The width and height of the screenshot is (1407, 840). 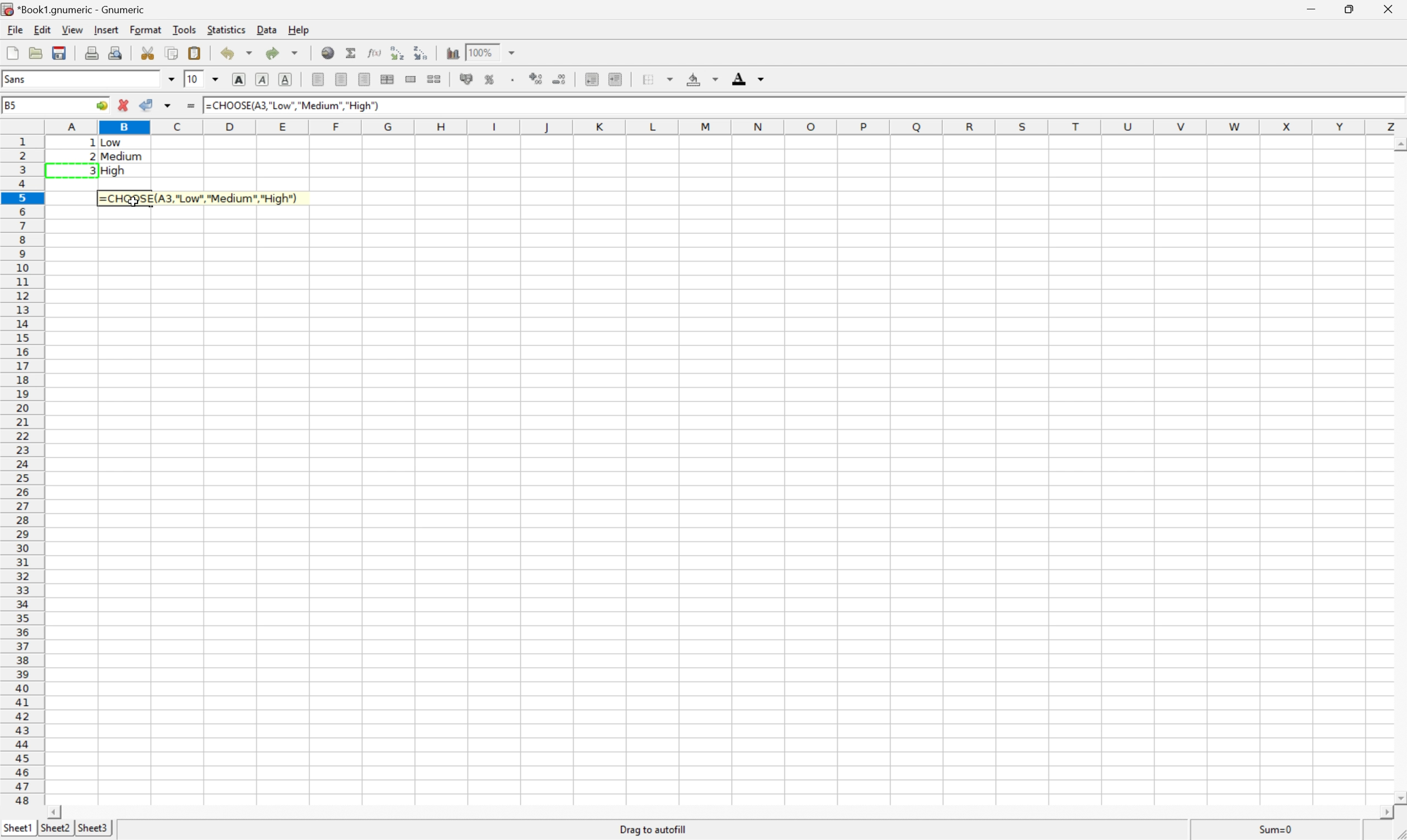 I want to click on =CHOOSE(A3, "Low", "Medium", "High"), so click(x=200, y=196).